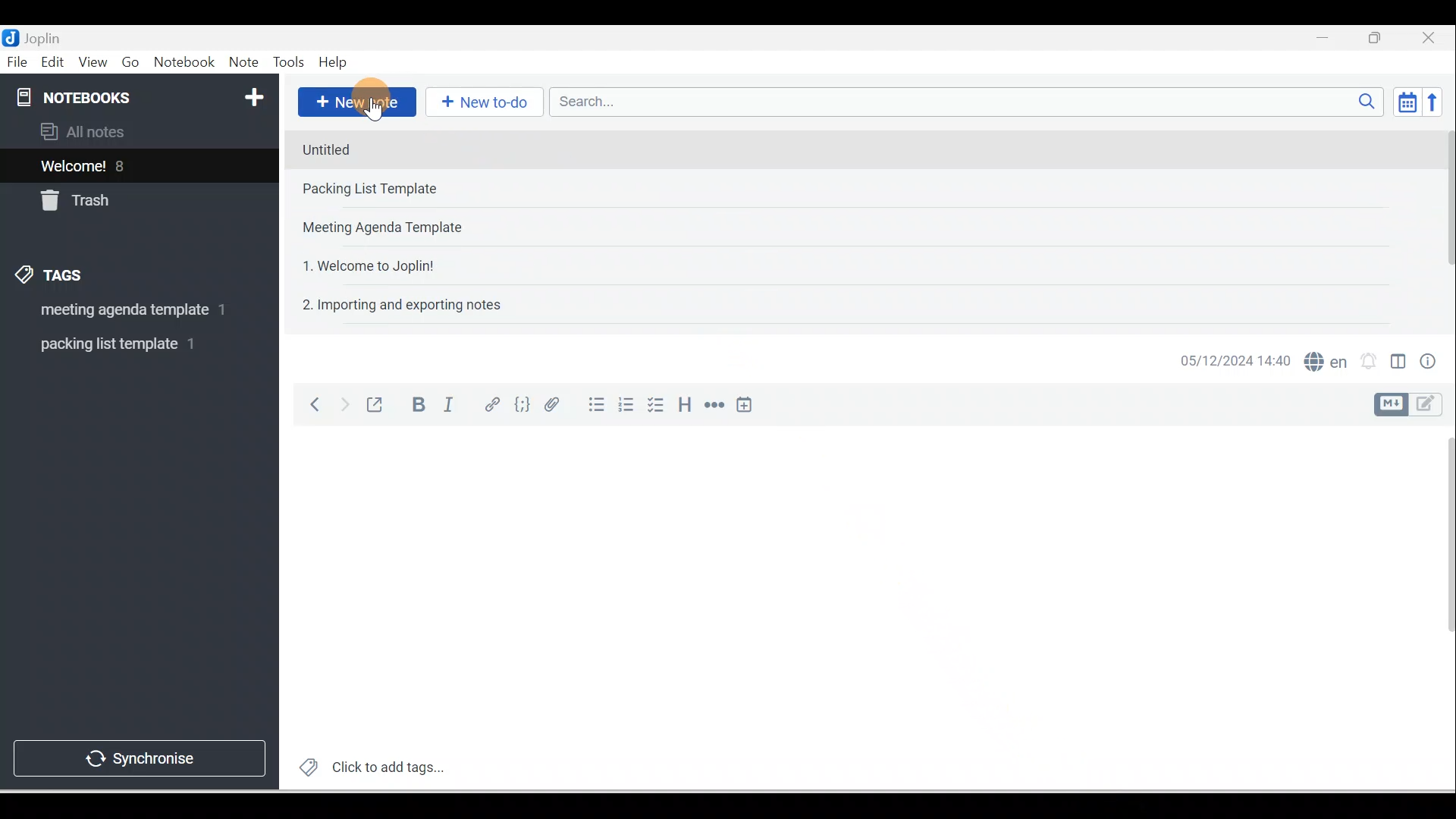  Describe the element at coordinates (18, 61) in the screenshot. I see `File` at that location.